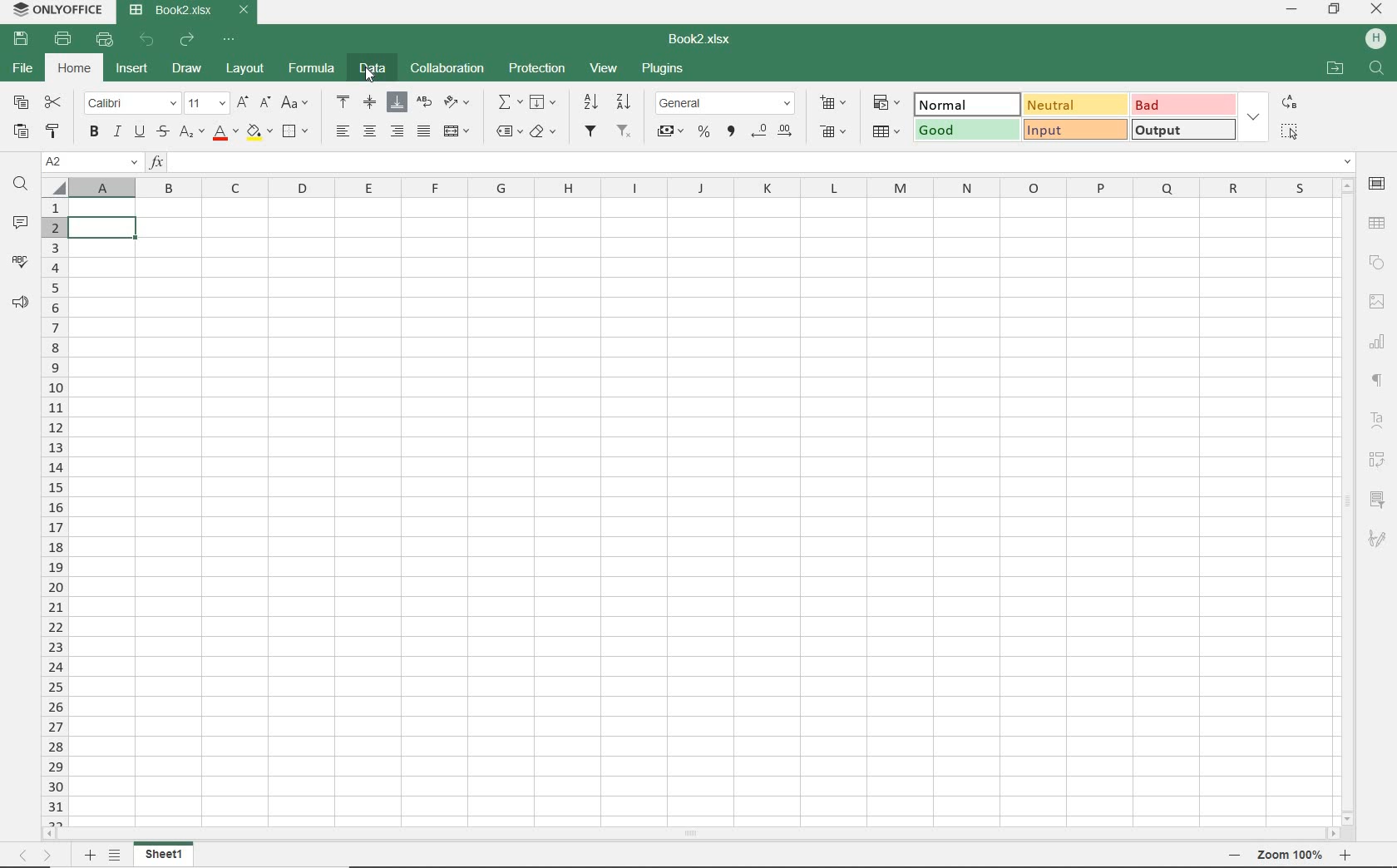 The image size is (1397, 868). What do you see at coordinates (507, 131) in the screenshot?
I see `NAMED RANGES` at bounding box center [507, 131].